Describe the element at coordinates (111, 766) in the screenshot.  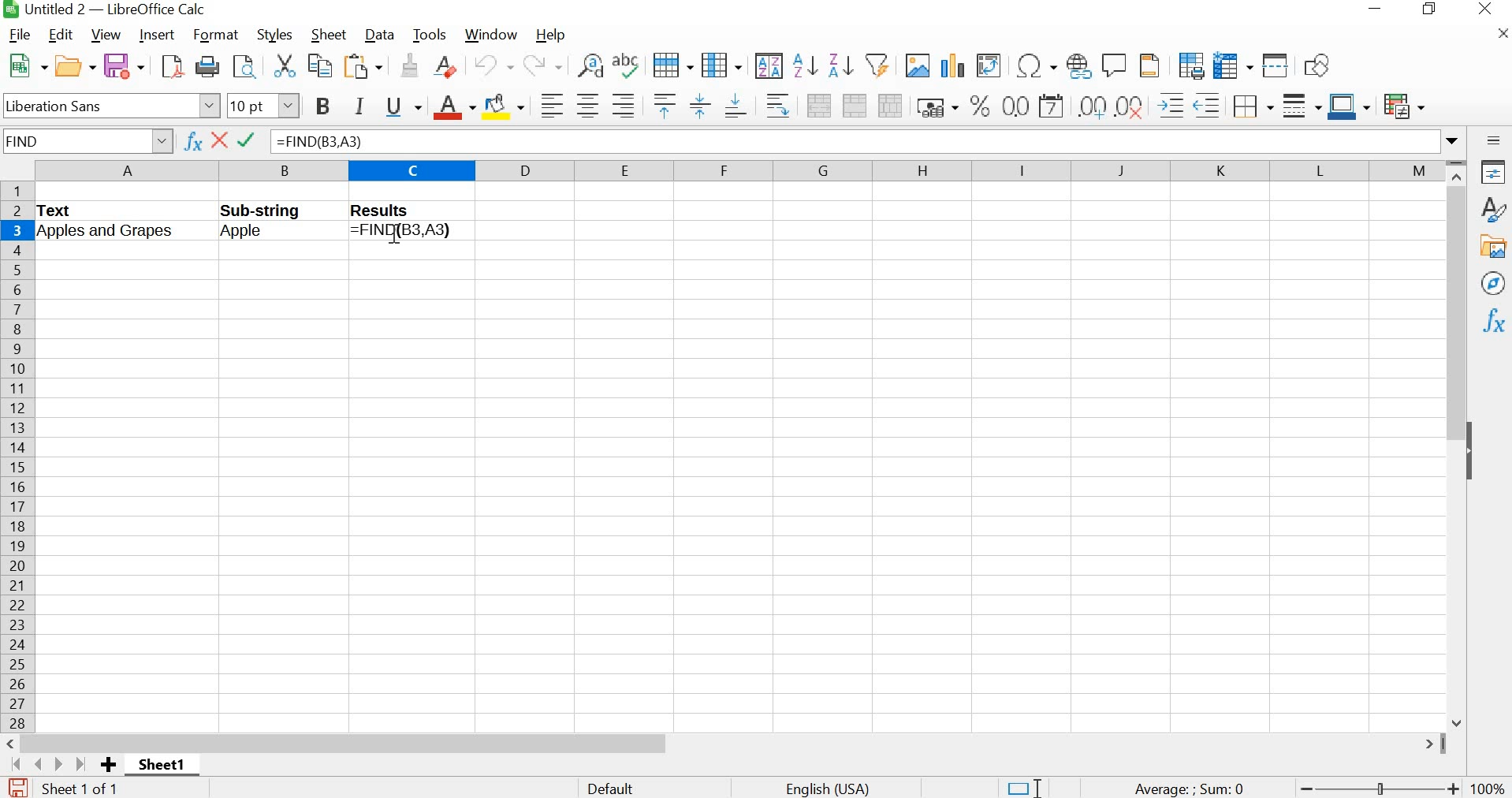
I see `add sheet` at that location.